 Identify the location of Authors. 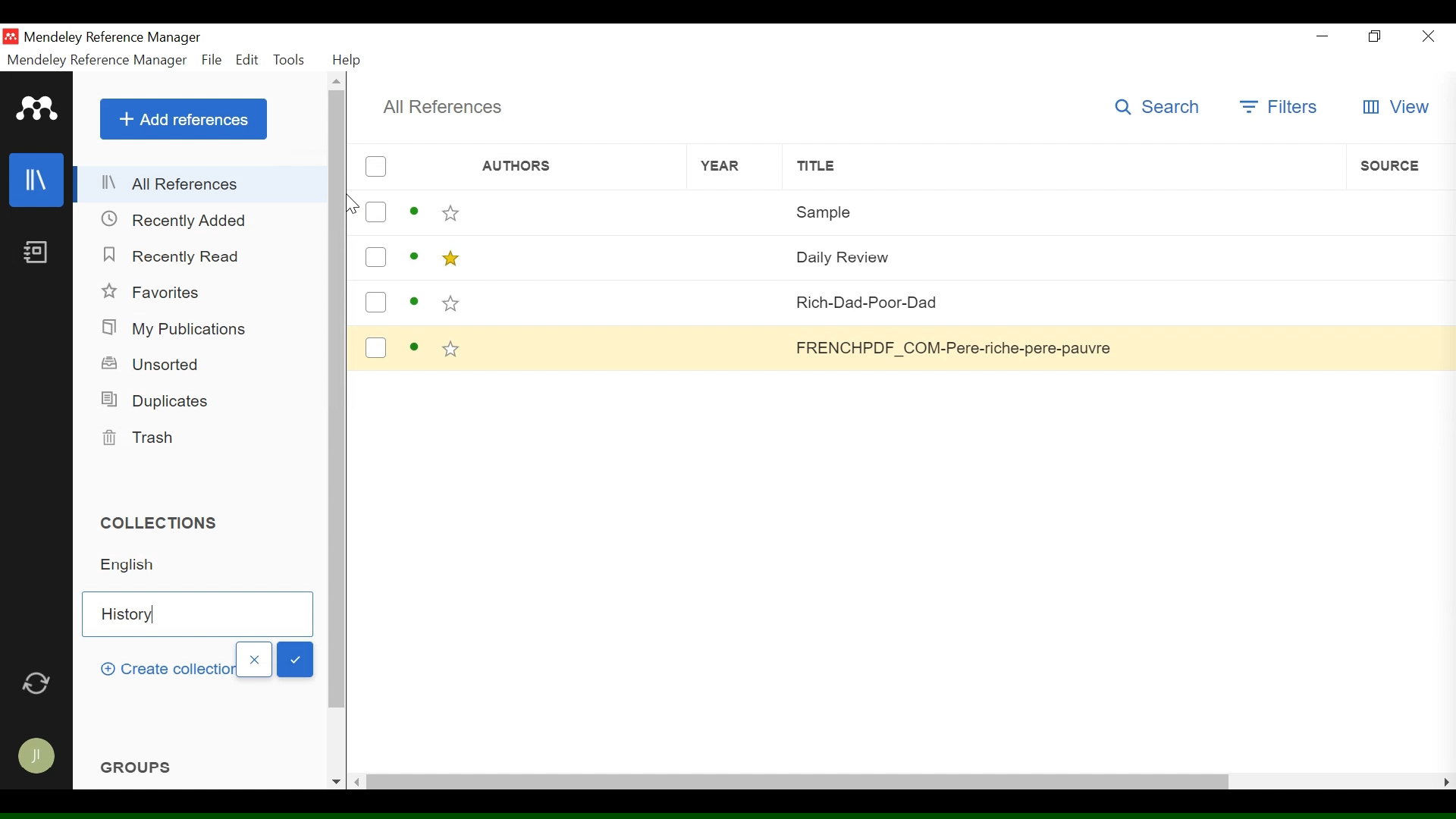
(576, 305).